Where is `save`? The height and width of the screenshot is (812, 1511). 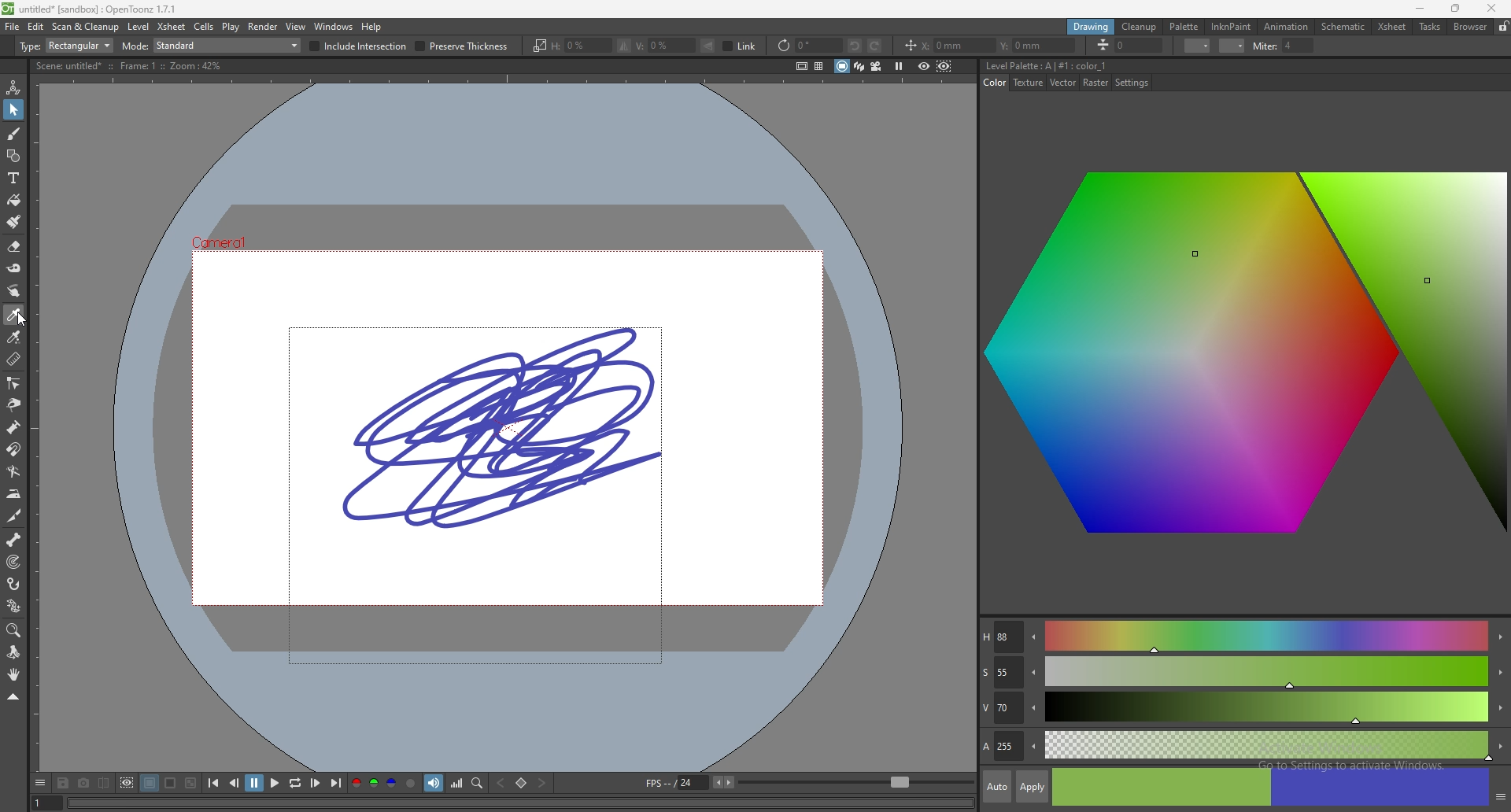 save is located at coordinates (63, 783).